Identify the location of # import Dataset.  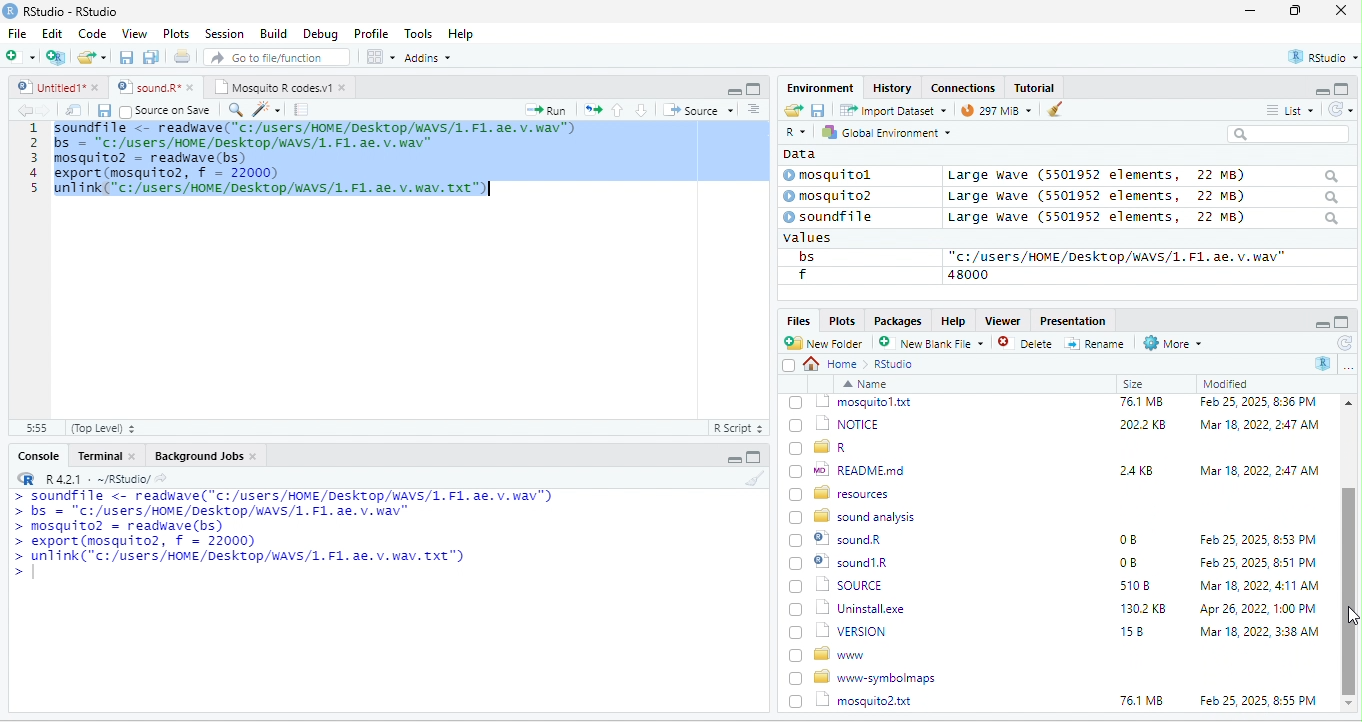
(891, 109).